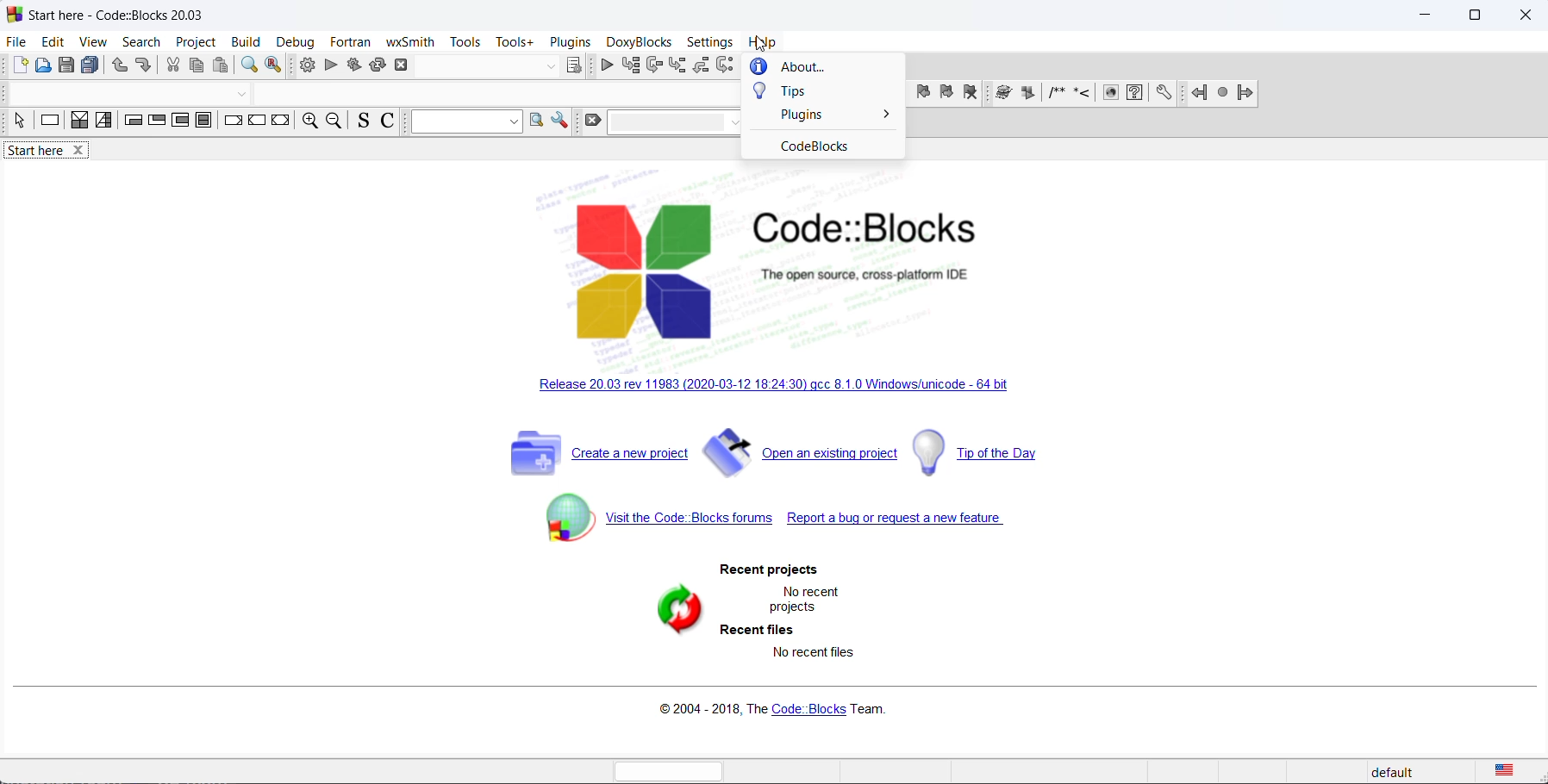  I want to click on dropdown, so click(462, 122).